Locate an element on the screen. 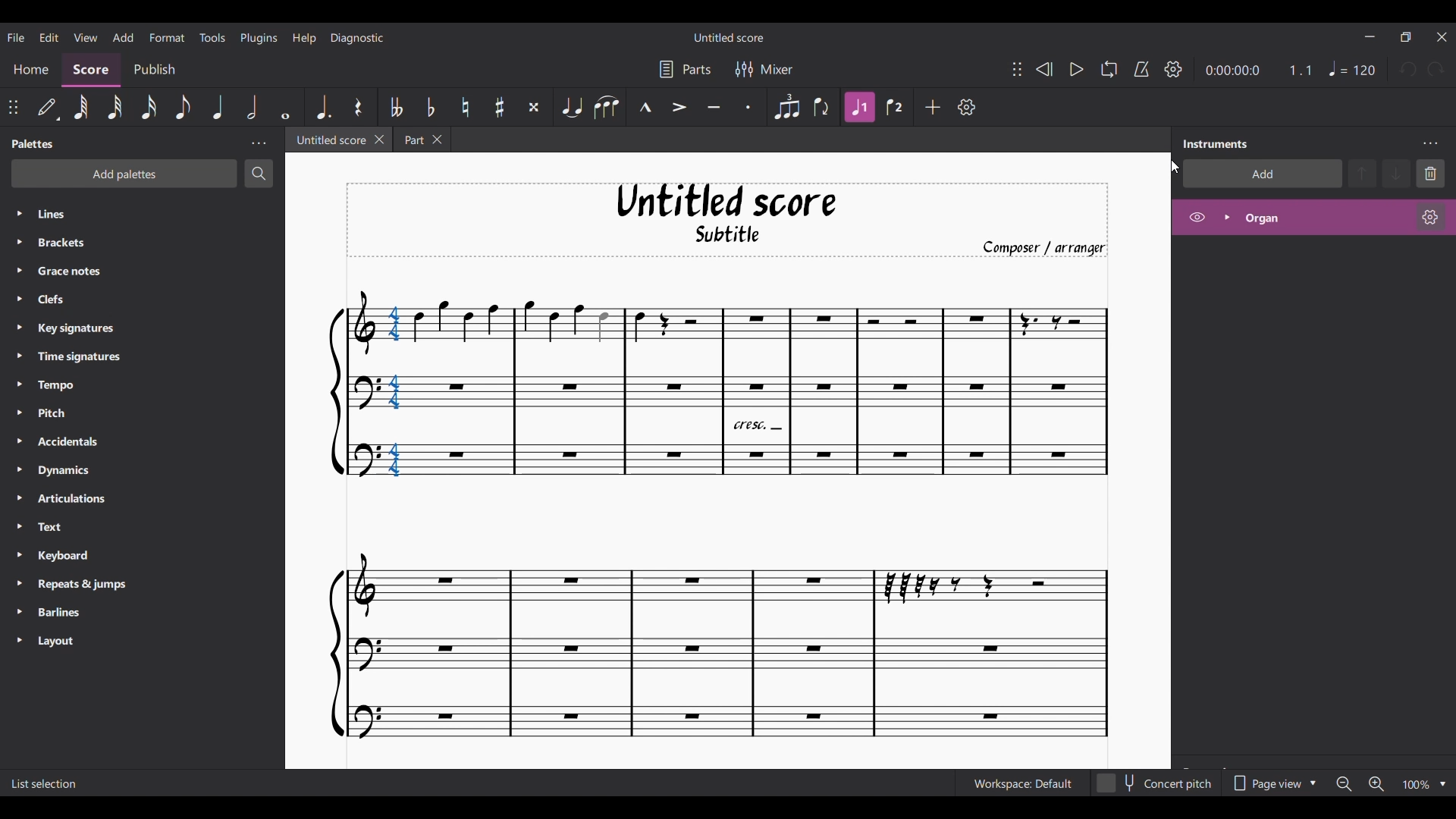  Flip direction is located at coordinates (823, 107).